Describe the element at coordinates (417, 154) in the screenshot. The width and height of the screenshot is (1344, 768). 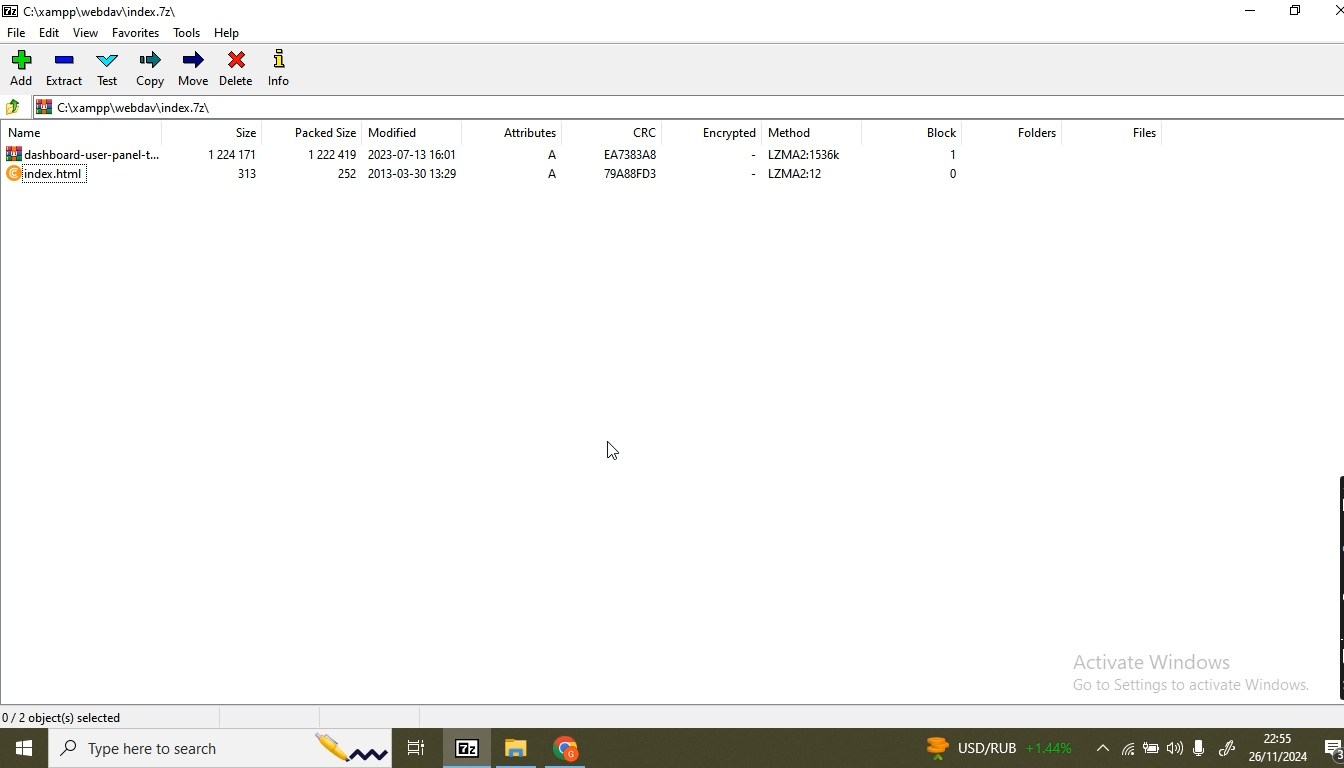
I see `2023-07-13 16:01` at that location.